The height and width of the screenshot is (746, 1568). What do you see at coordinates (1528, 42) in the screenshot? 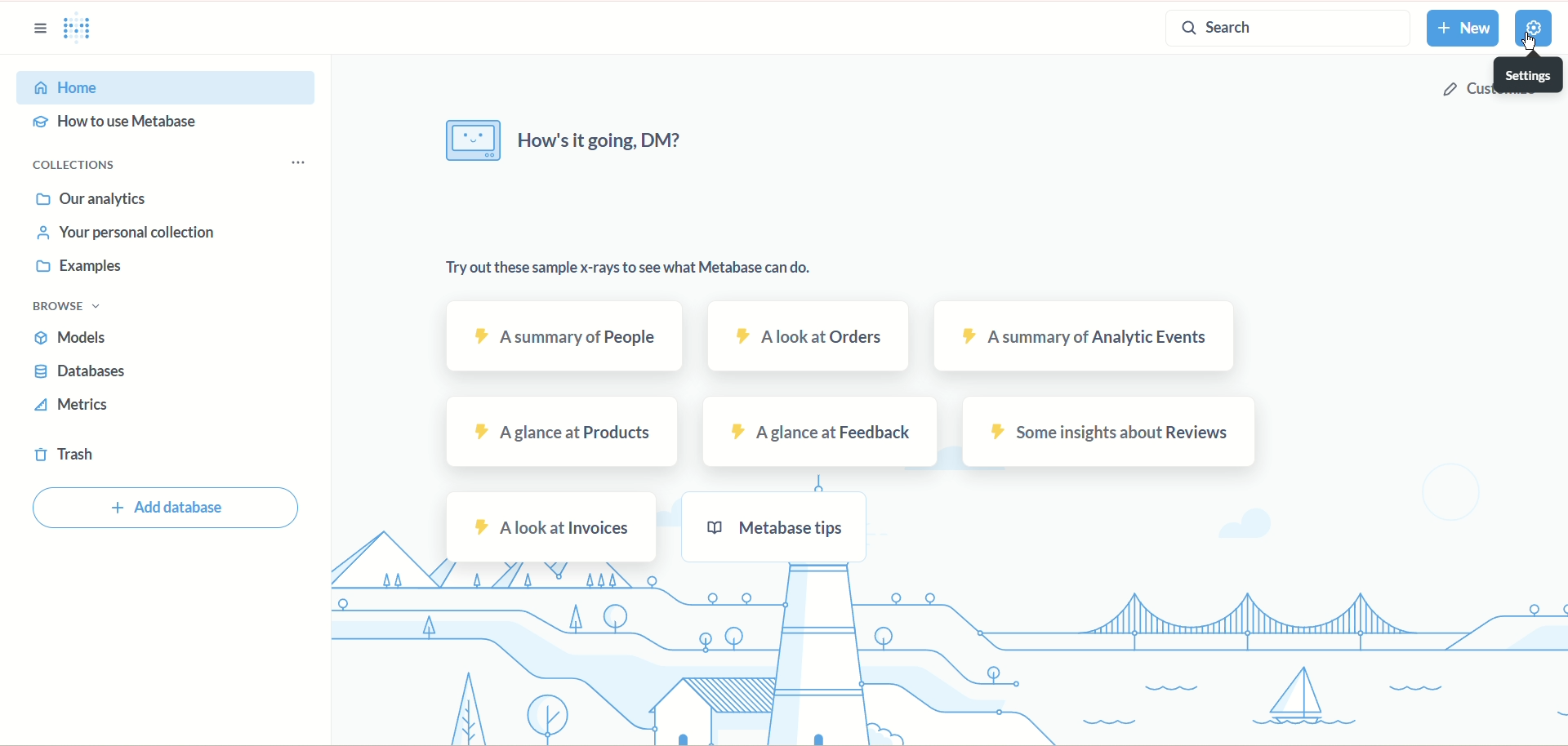
I see `cursor` at bounding box center [1528, 42].